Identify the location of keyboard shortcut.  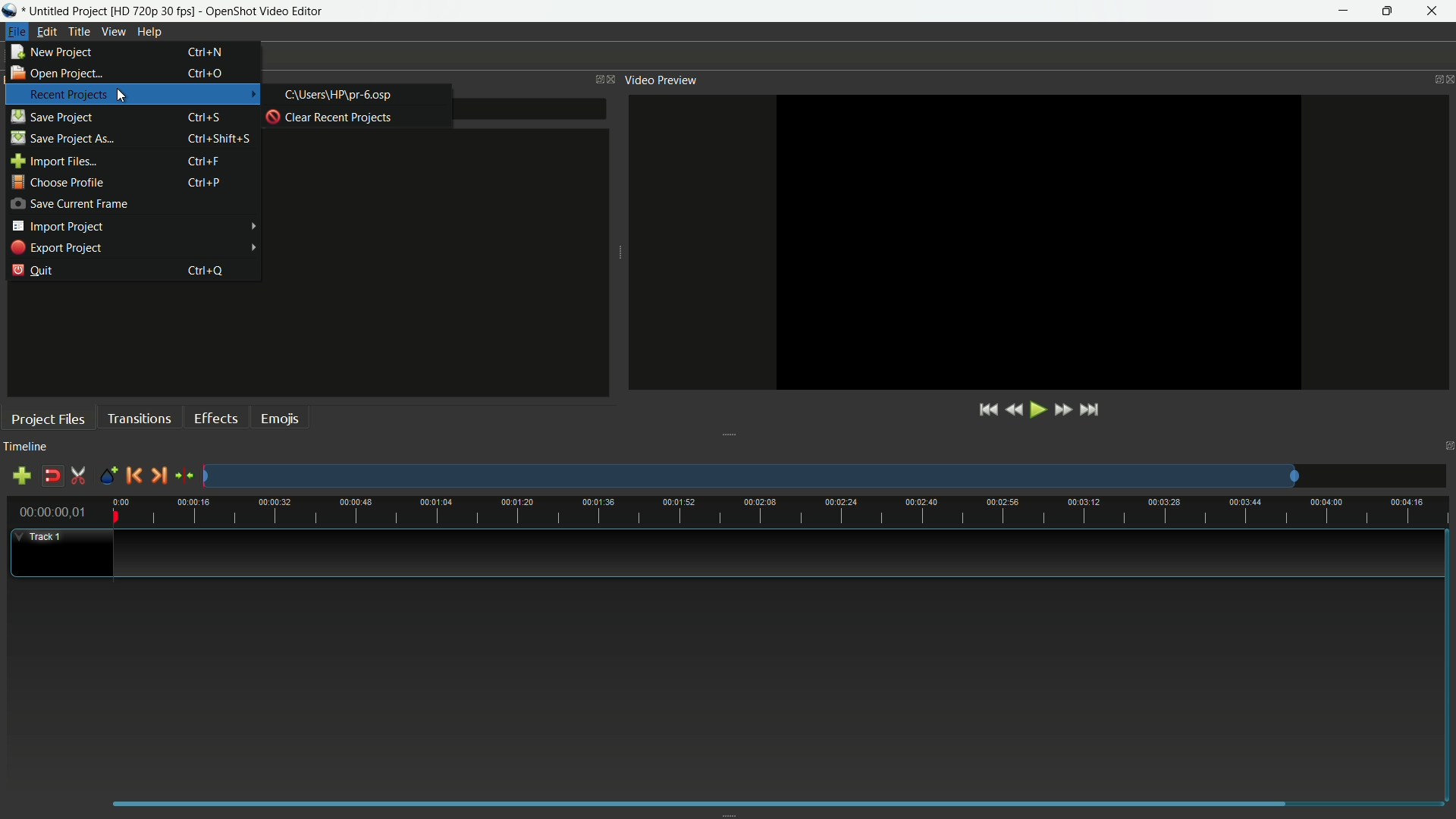
(203, 182).